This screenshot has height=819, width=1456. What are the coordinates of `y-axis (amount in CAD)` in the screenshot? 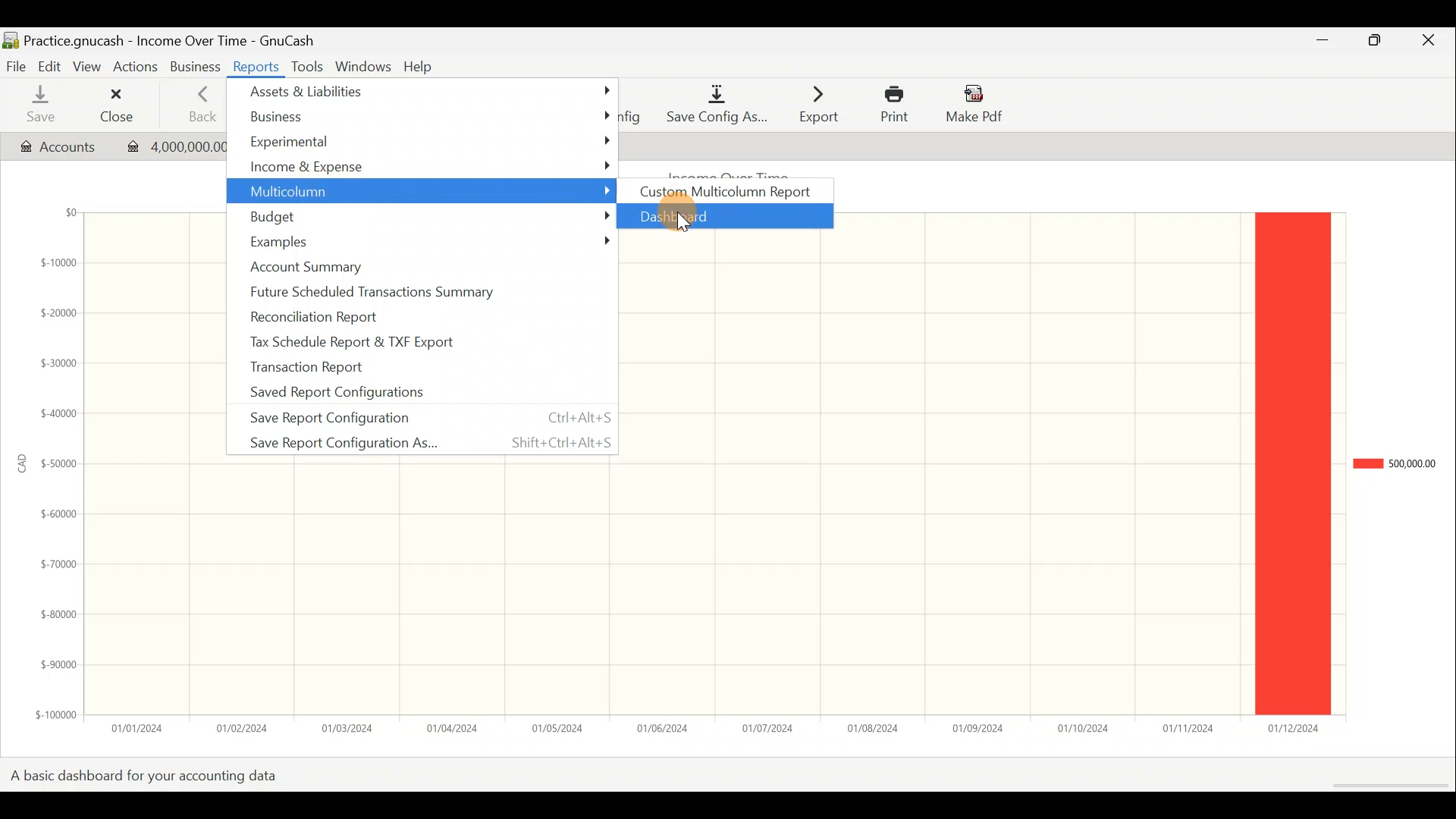 It's located at (48, 465).